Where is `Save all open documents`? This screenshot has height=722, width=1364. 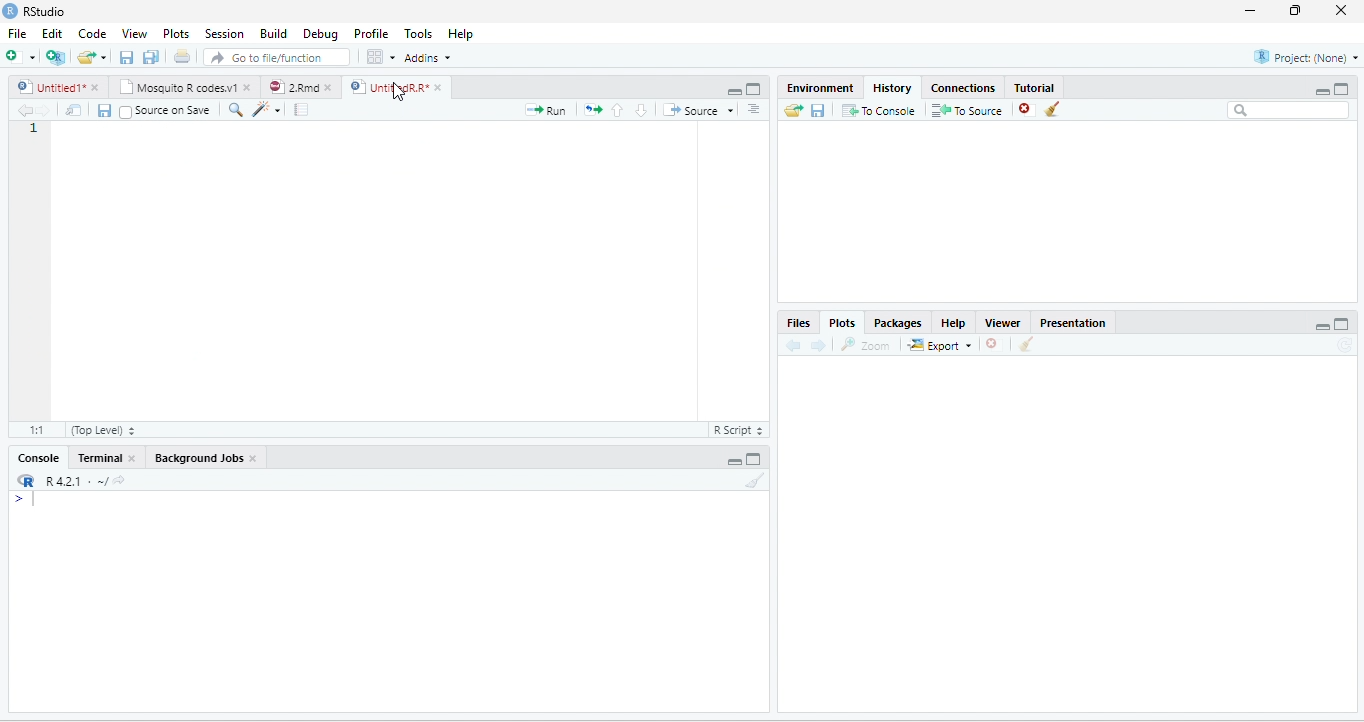
Save all open documents is located at coordinates (151, 56).